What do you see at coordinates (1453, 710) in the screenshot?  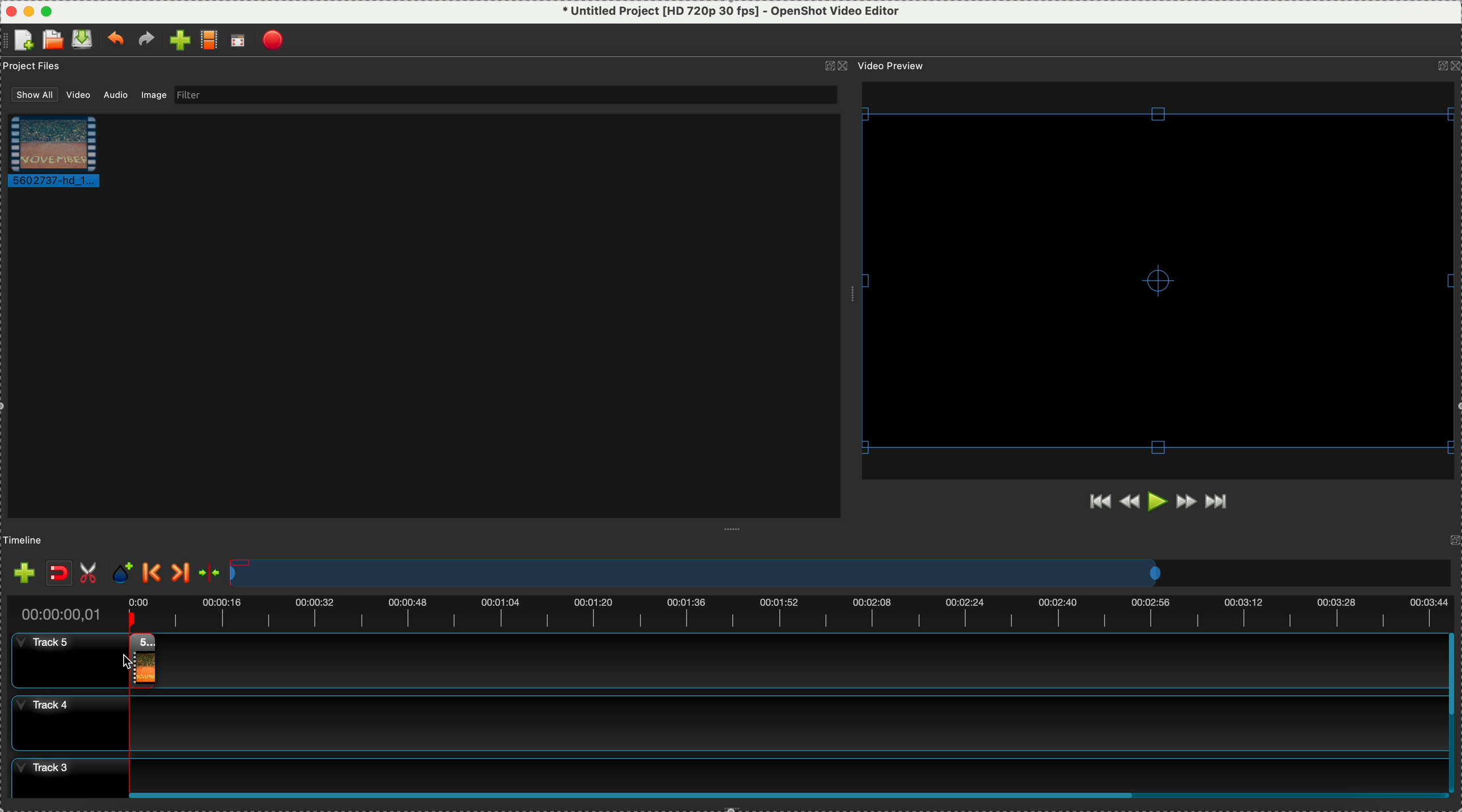 I see `scroll bar` at bounding box center [1453, 710].